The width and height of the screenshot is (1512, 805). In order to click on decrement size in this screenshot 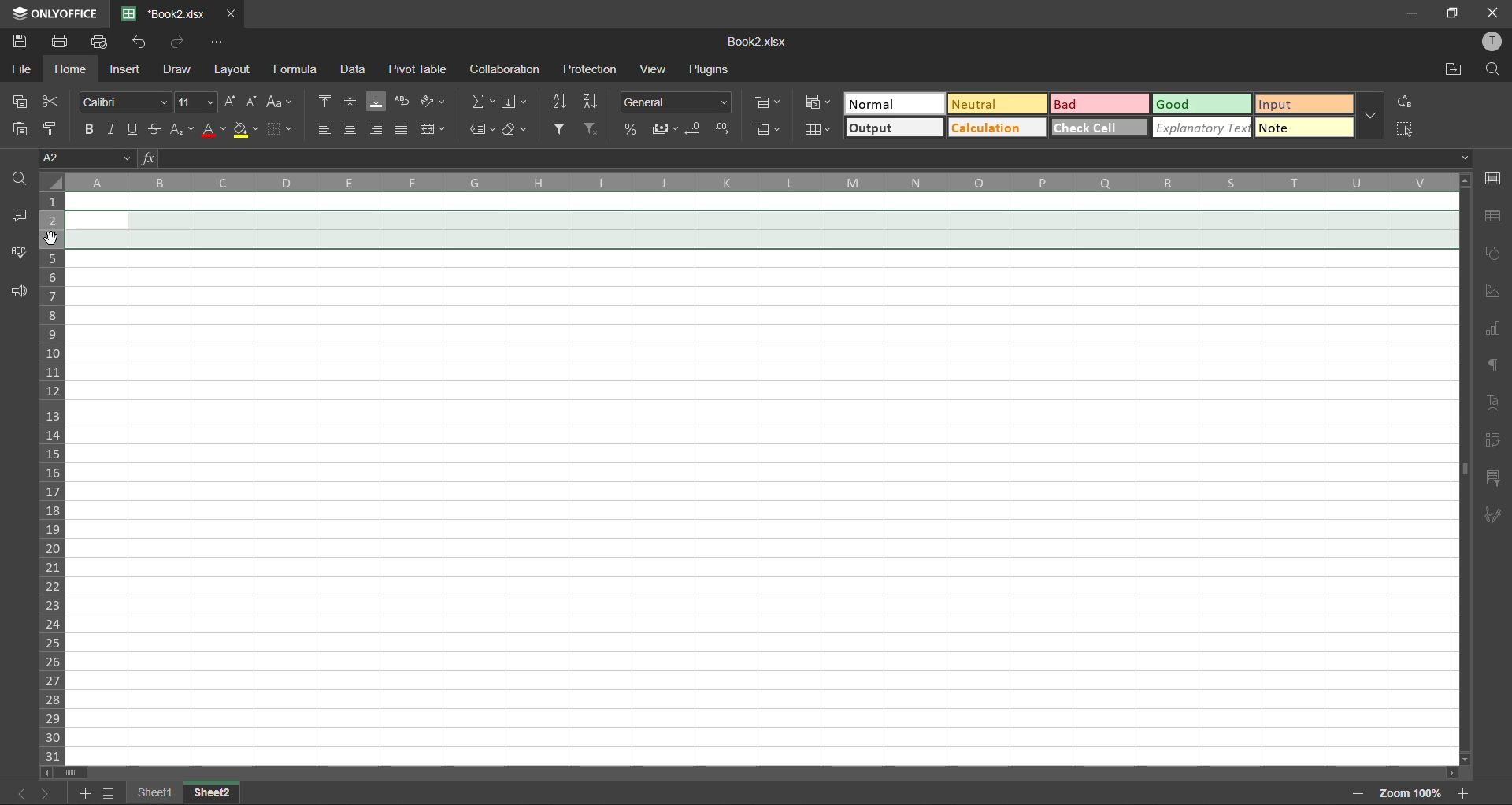, I will do `click(253, 101)`.